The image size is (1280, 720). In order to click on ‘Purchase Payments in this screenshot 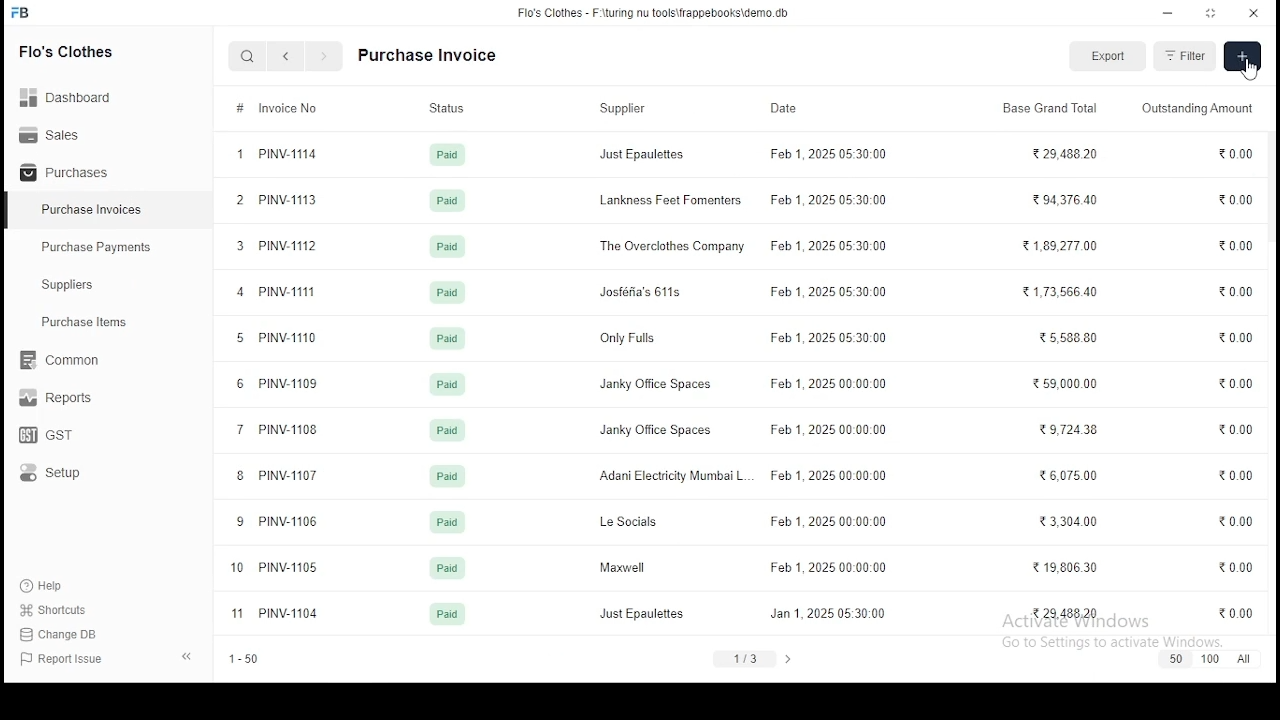, I will do `click(98, 247)`.